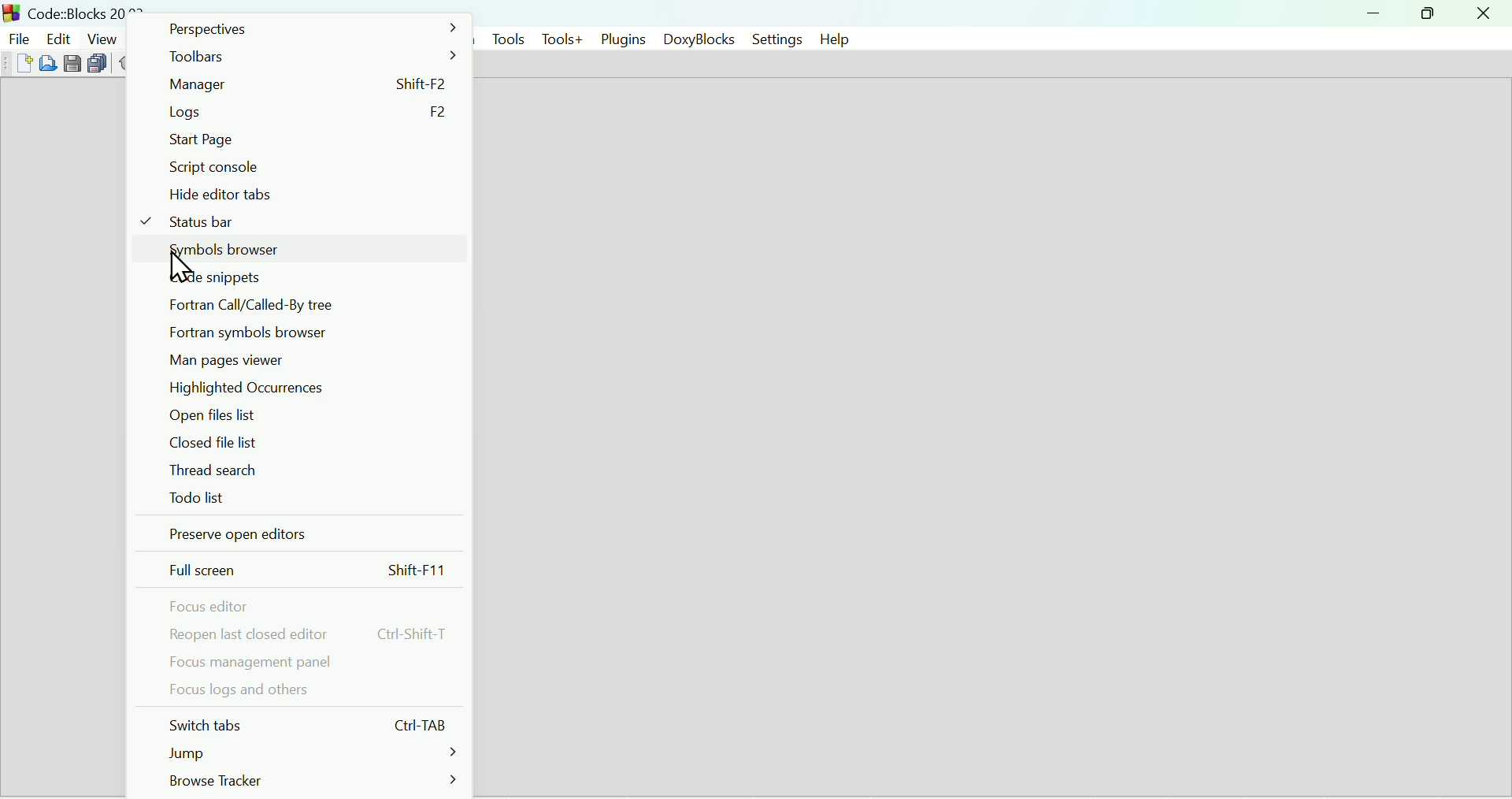 This screenshot has height=799, width=1512. I want to click on Toolbars, so click(307, 55).